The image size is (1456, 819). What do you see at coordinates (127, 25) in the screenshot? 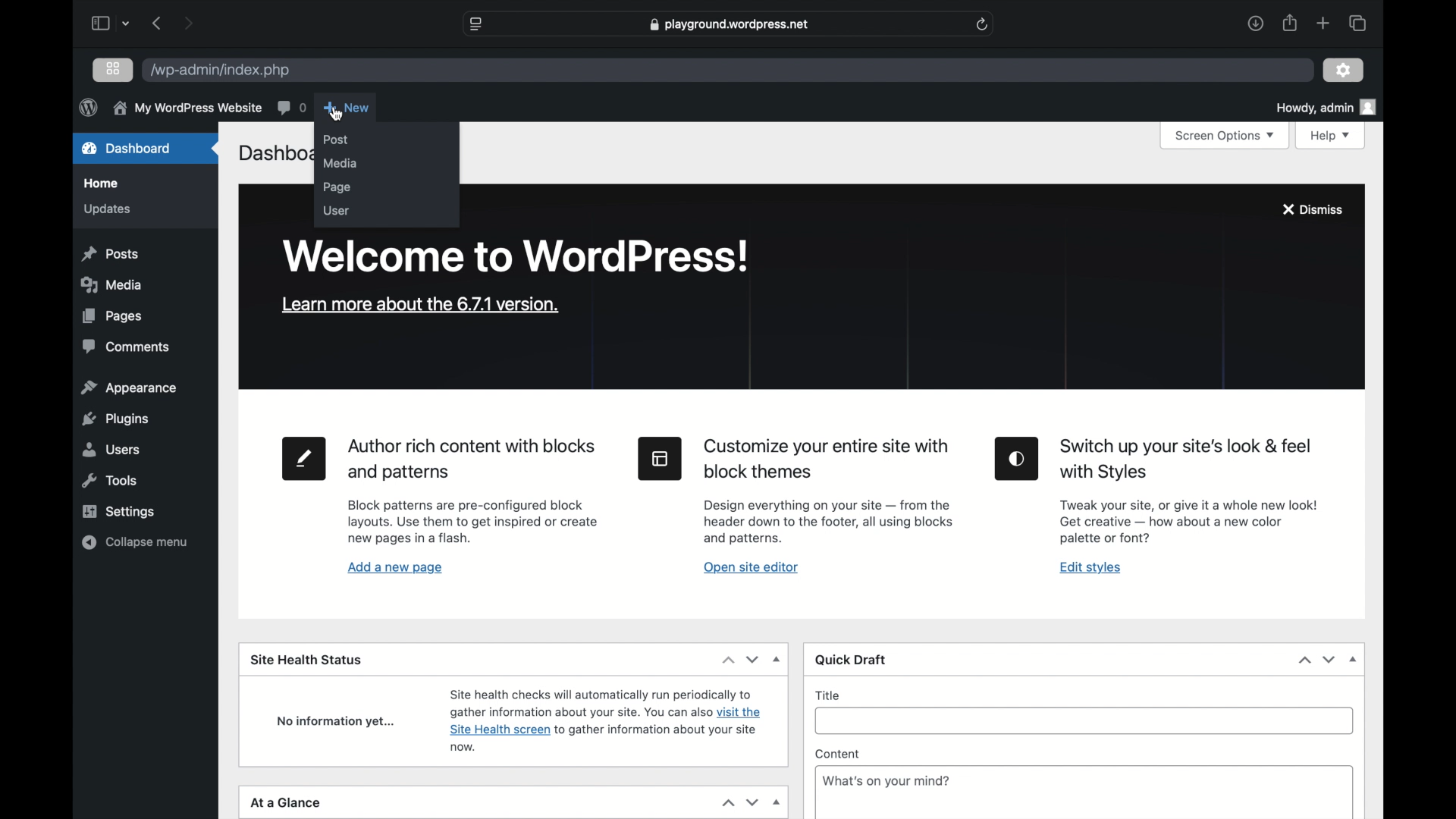
I see `dropdown` at bounding box center [127, 25].